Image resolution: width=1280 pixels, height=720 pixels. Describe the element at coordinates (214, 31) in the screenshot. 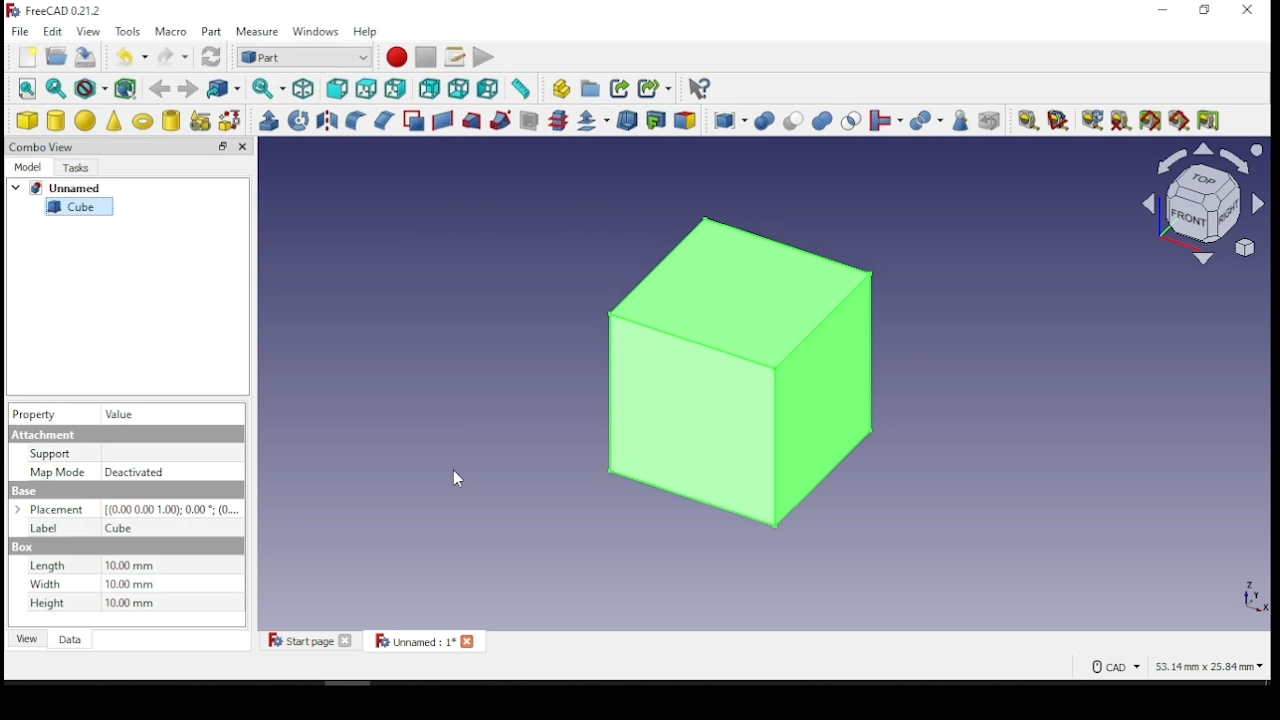

I see `part` at that location.